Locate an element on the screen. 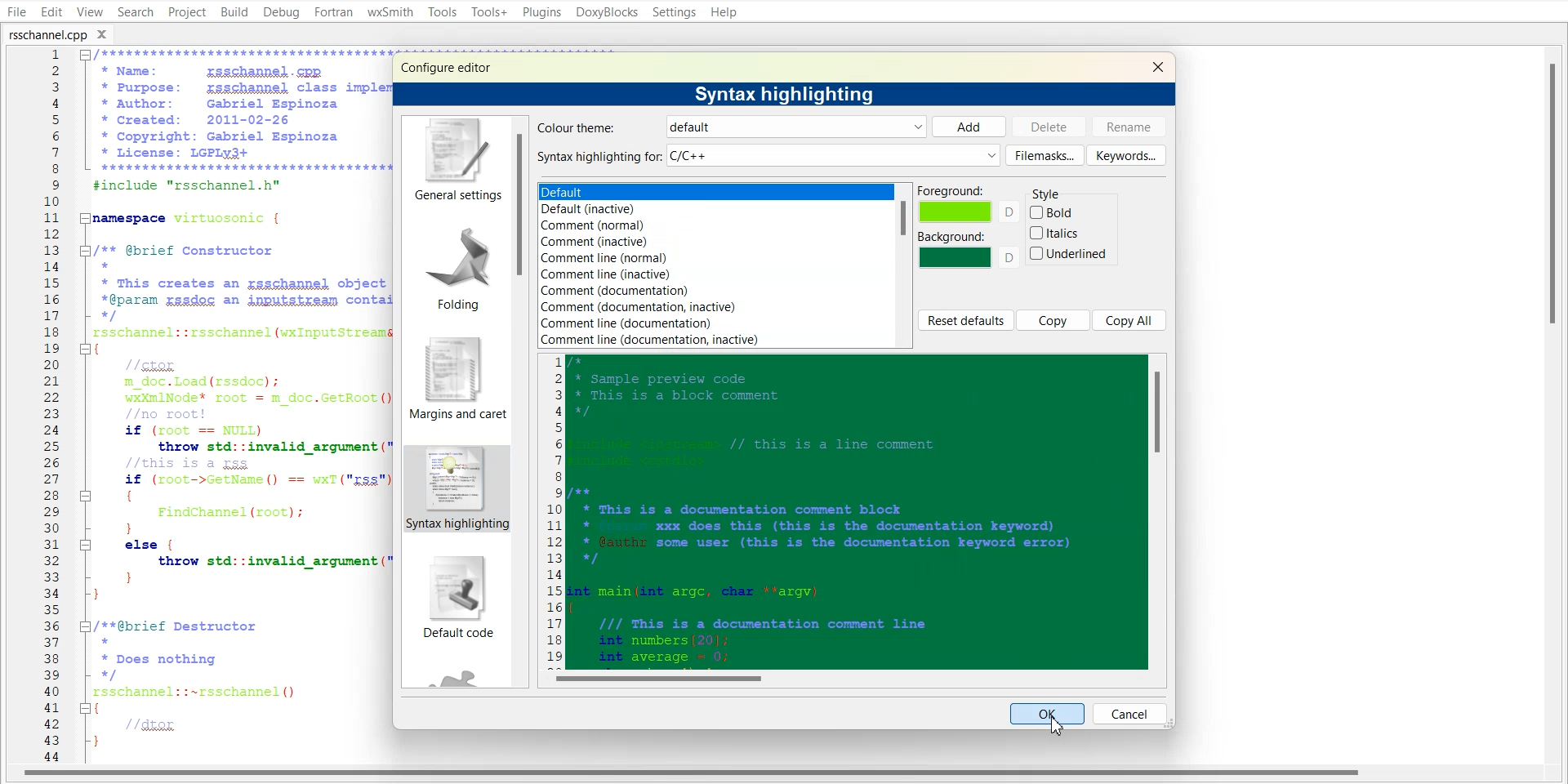 This screenshot has height=784, width=1568. Line numbers is located at coordinates (553, 509).